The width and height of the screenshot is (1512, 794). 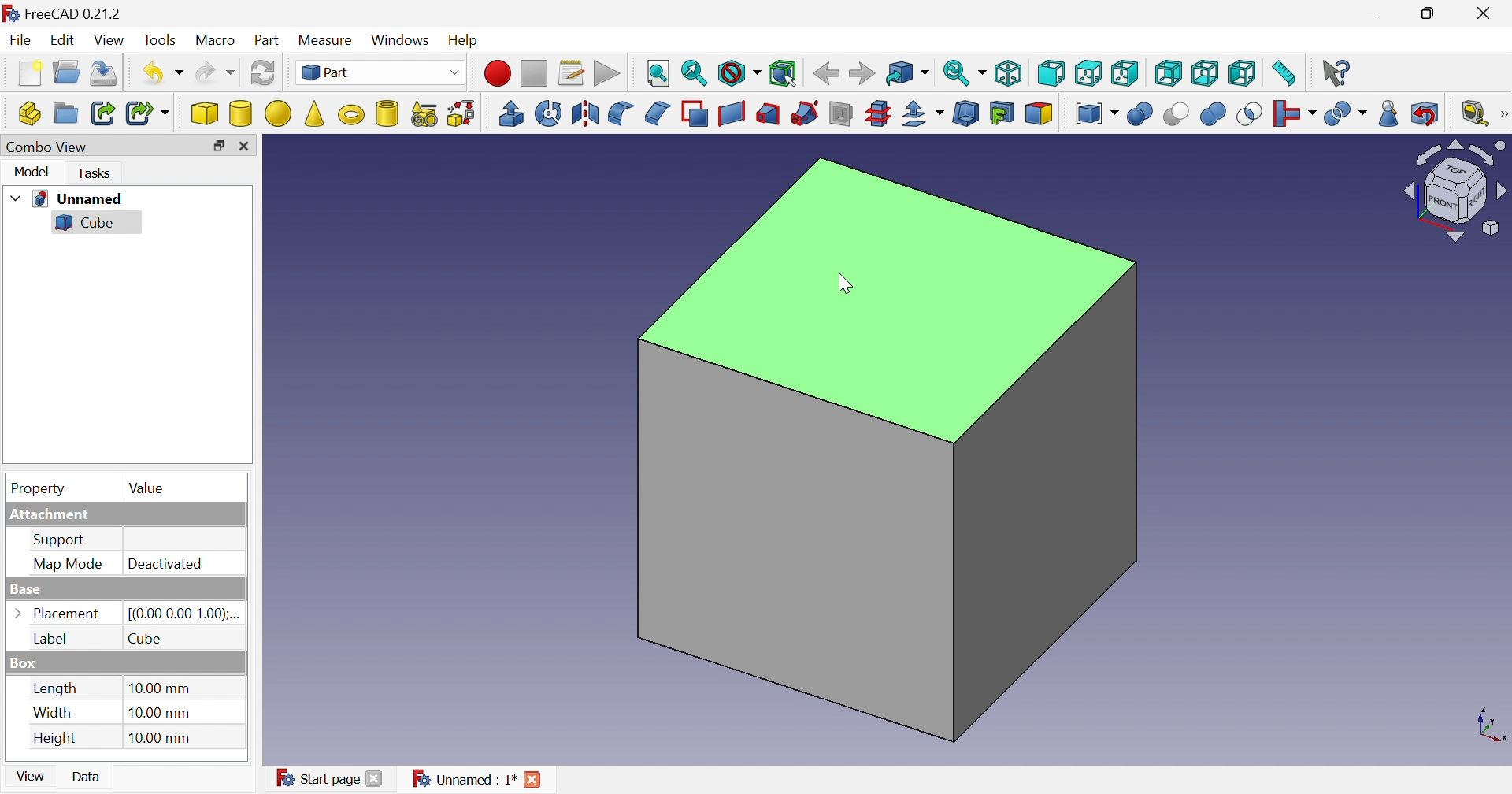 What do you see at coordinates (18, 39) in the screenshot?
I see `File` at bounding box center [18, 39].